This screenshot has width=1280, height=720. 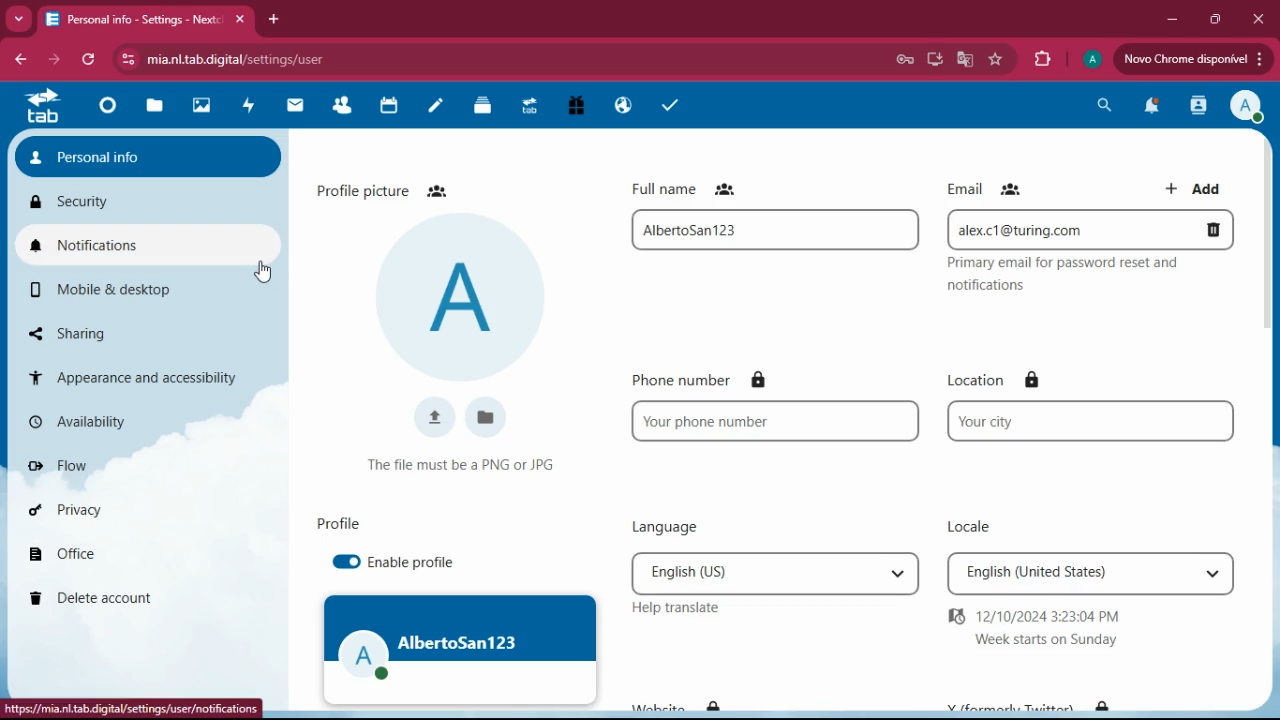 I want to click on tab, so click(x=42, y=106).